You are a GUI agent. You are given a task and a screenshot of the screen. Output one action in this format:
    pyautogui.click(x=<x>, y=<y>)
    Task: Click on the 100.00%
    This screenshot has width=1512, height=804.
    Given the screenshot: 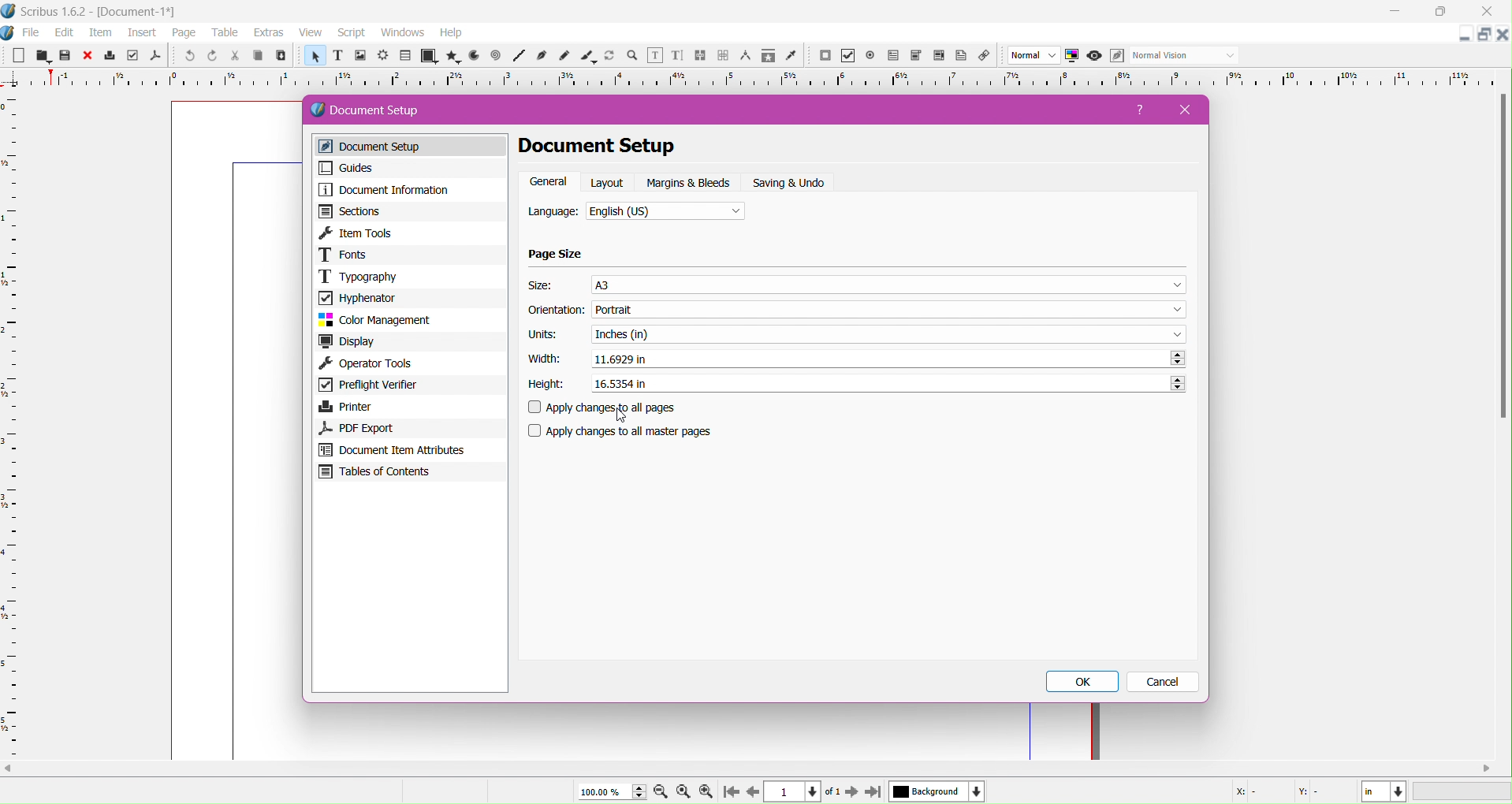 What is the action you would take?
    pyautogui.click(x=609, y=791)
    